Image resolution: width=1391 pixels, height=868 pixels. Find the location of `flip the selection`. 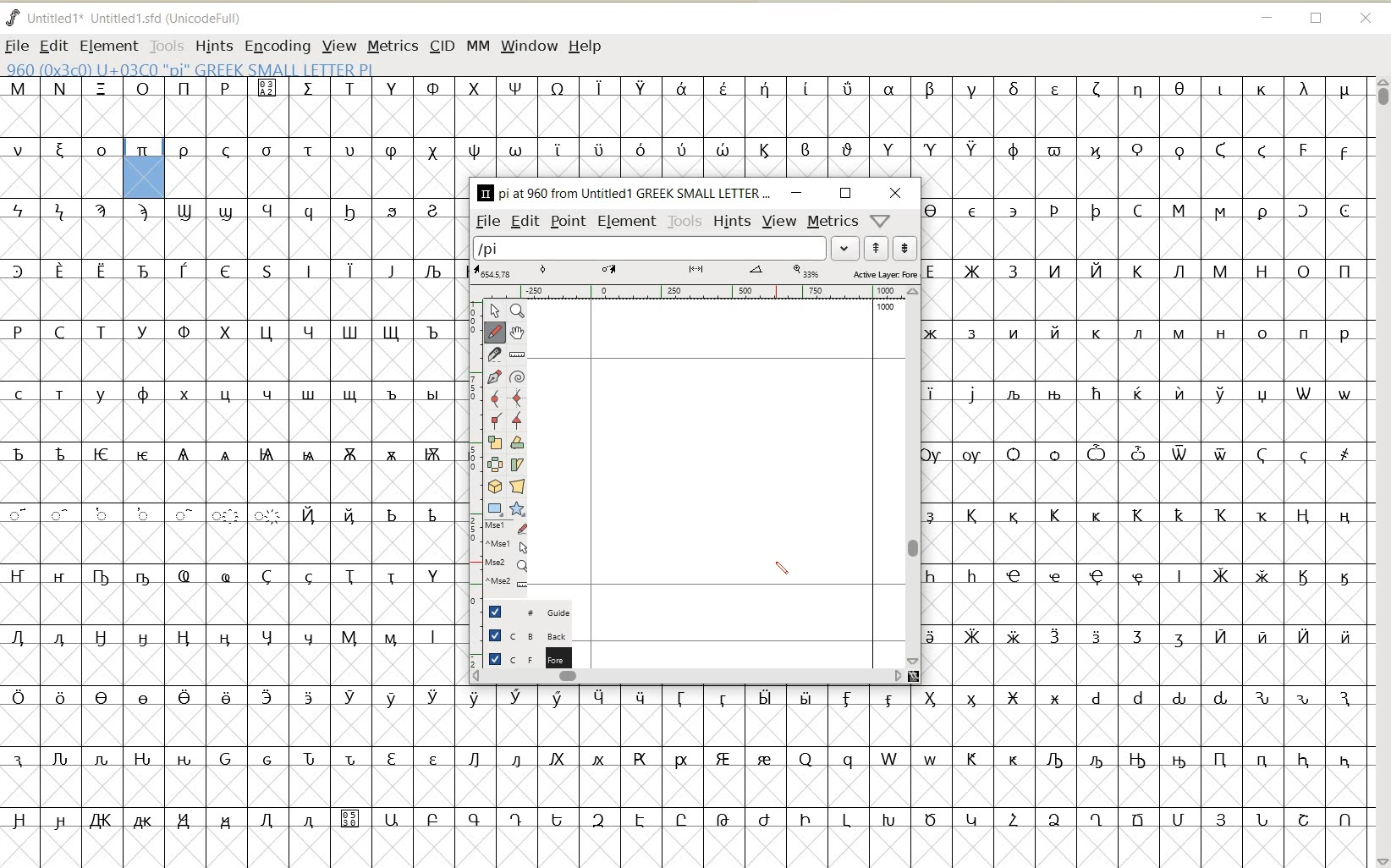

flip the selection is located at coordinates (492, 464).